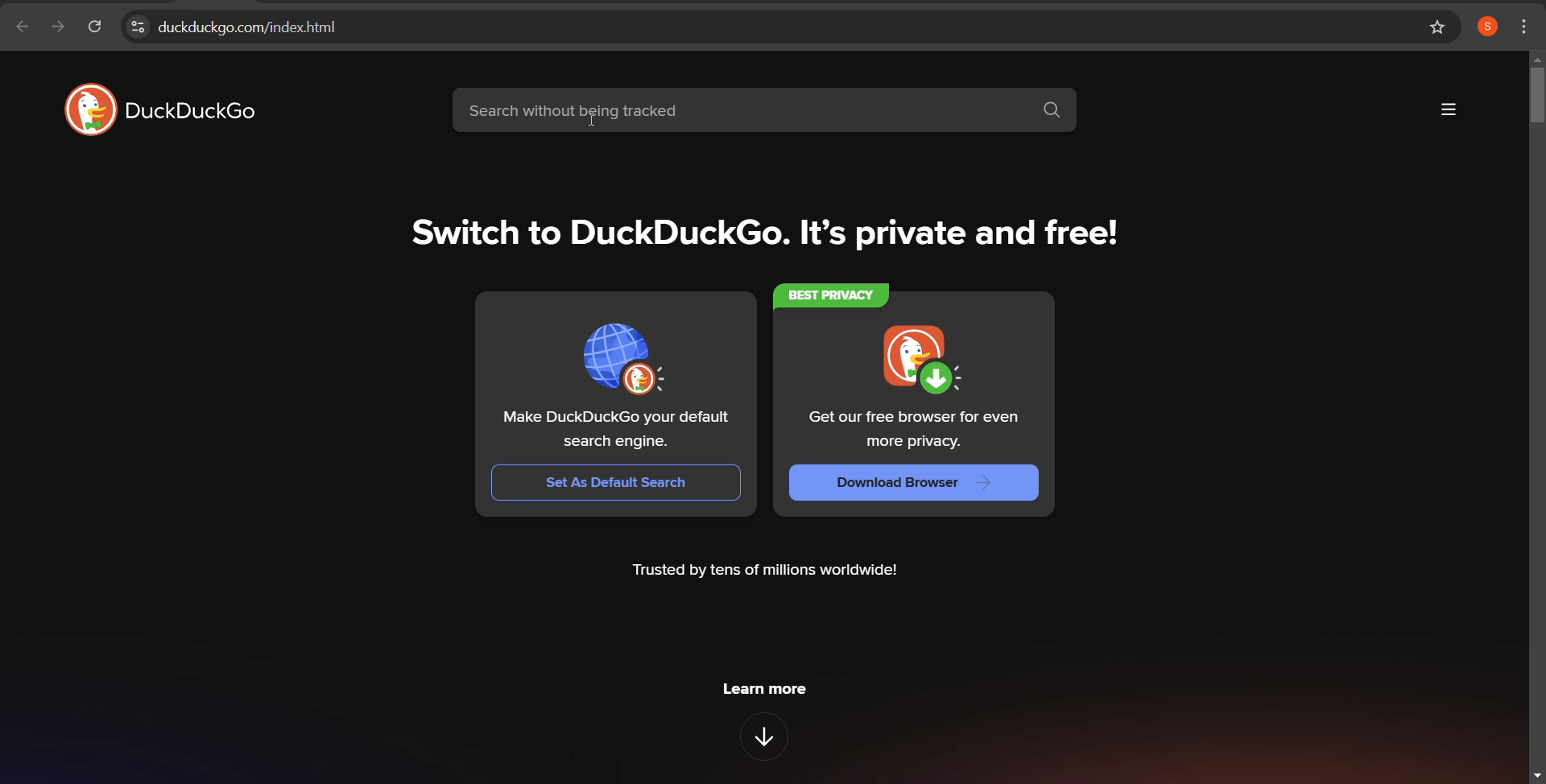  Describe the element at coordinates (1487, 27) in the screenshot. I see `profile logged in browser` at that location.